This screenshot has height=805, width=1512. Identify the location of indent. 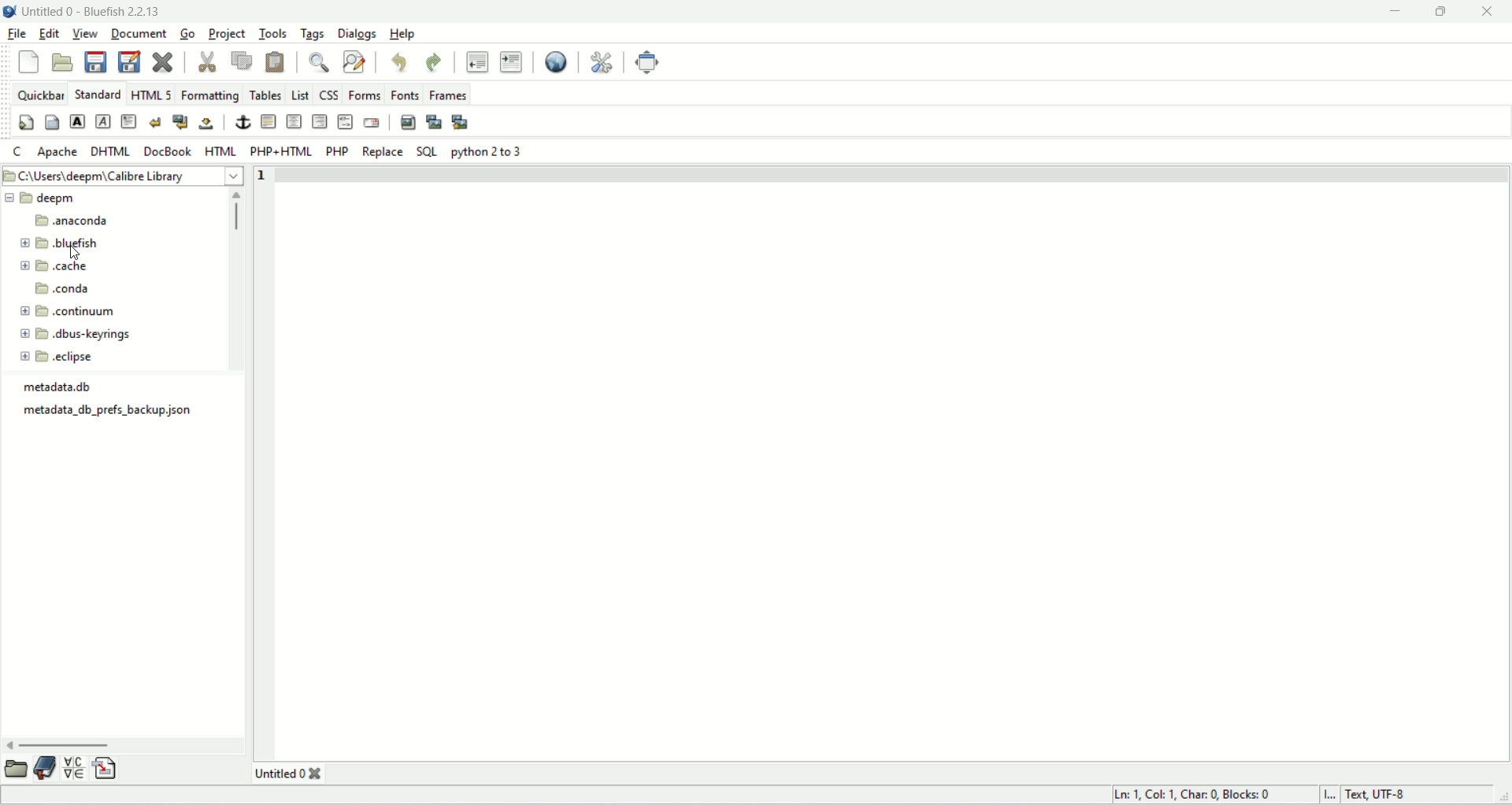
(511, 63).